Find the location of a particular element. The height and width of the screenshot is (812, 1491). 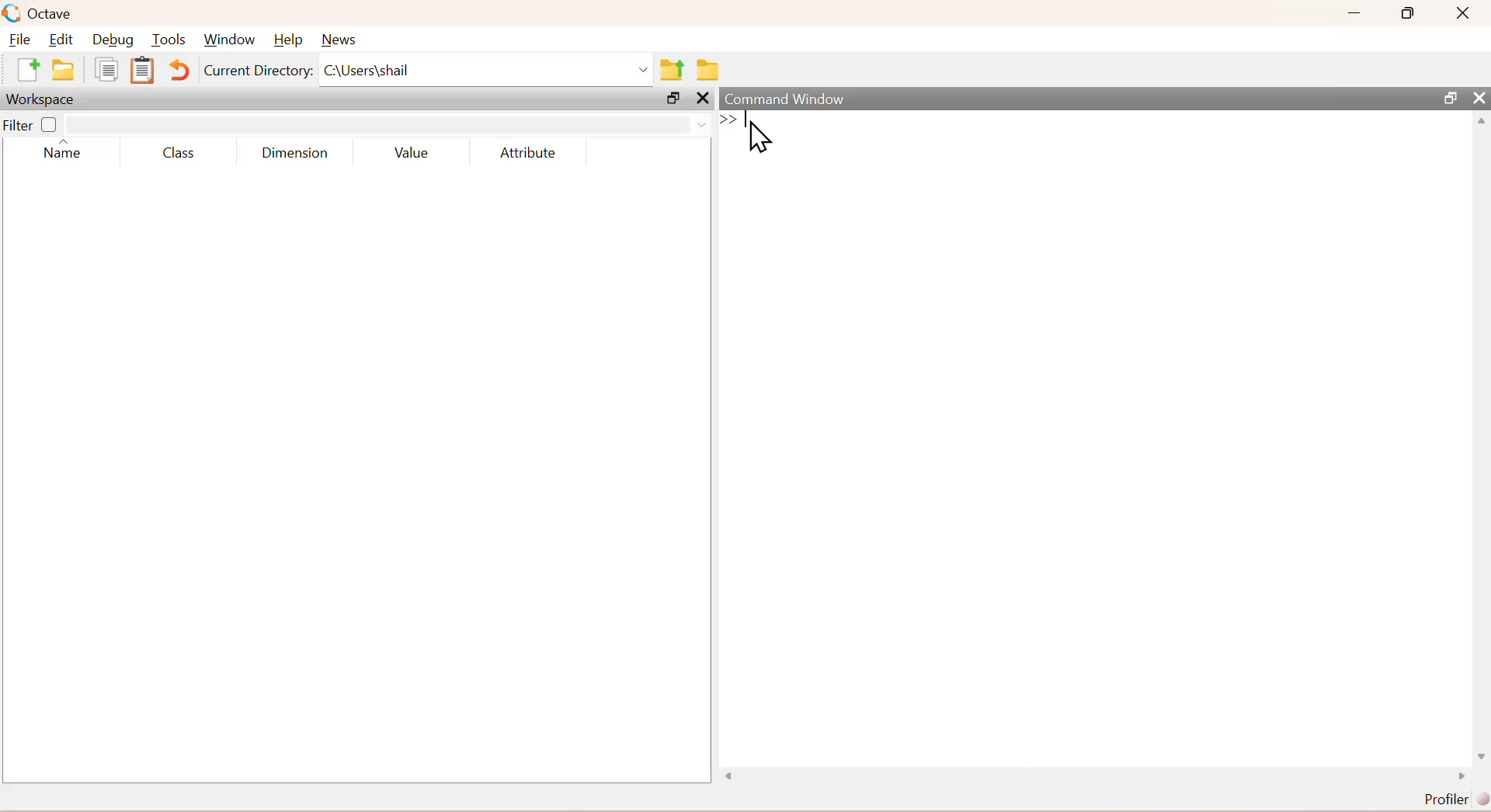

Class is located at coordinates (181, 153).